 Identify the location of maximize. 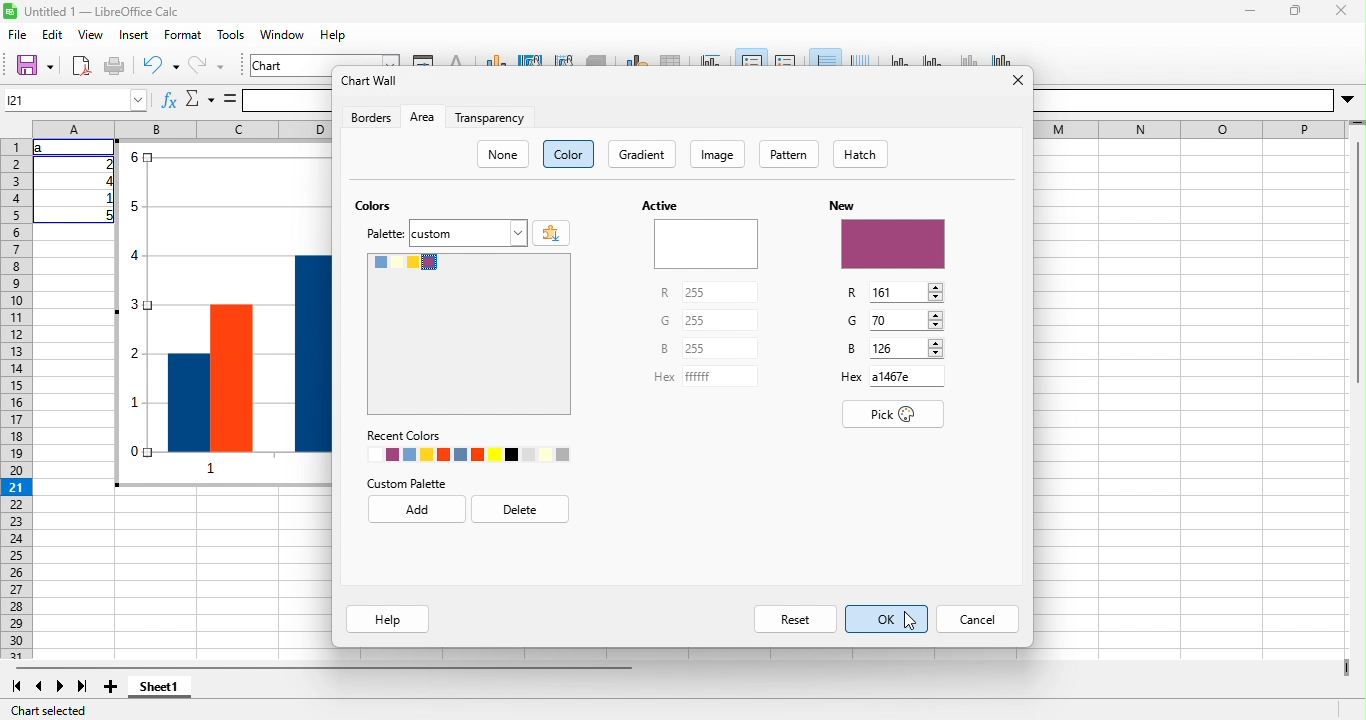
(1296, 11).